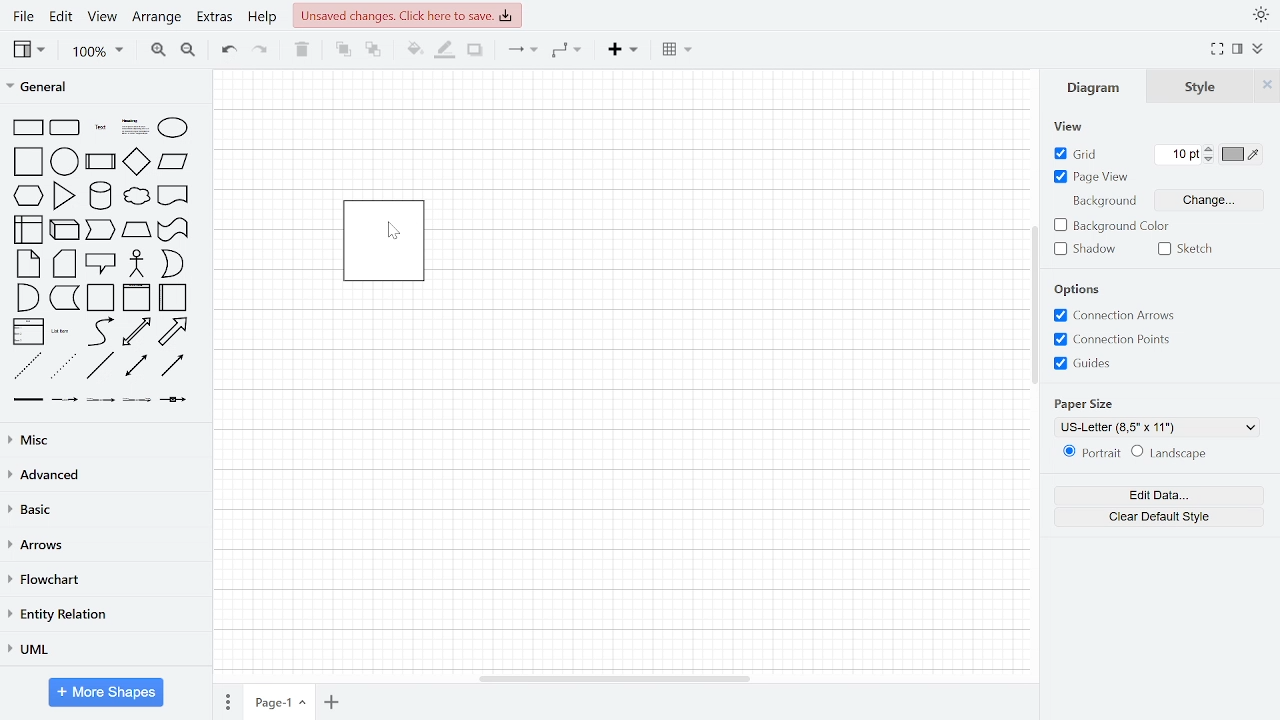 The height and width of the screenshot is (720, 1280). Describe the element at coordinates (100, 229) in the screenshot. I see `step` at that location.